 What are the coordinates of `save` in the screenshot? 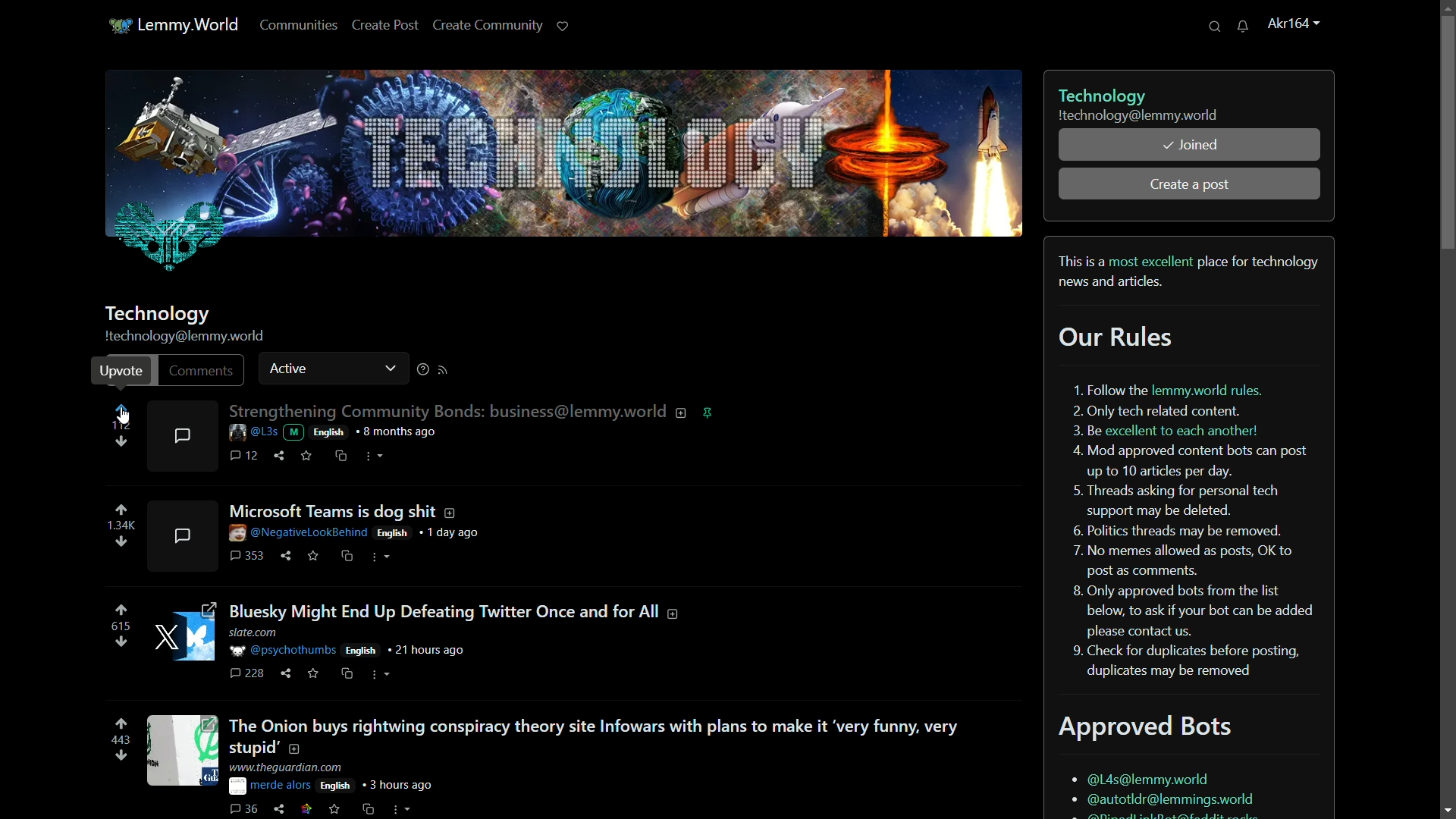 It's located at (309, 455).